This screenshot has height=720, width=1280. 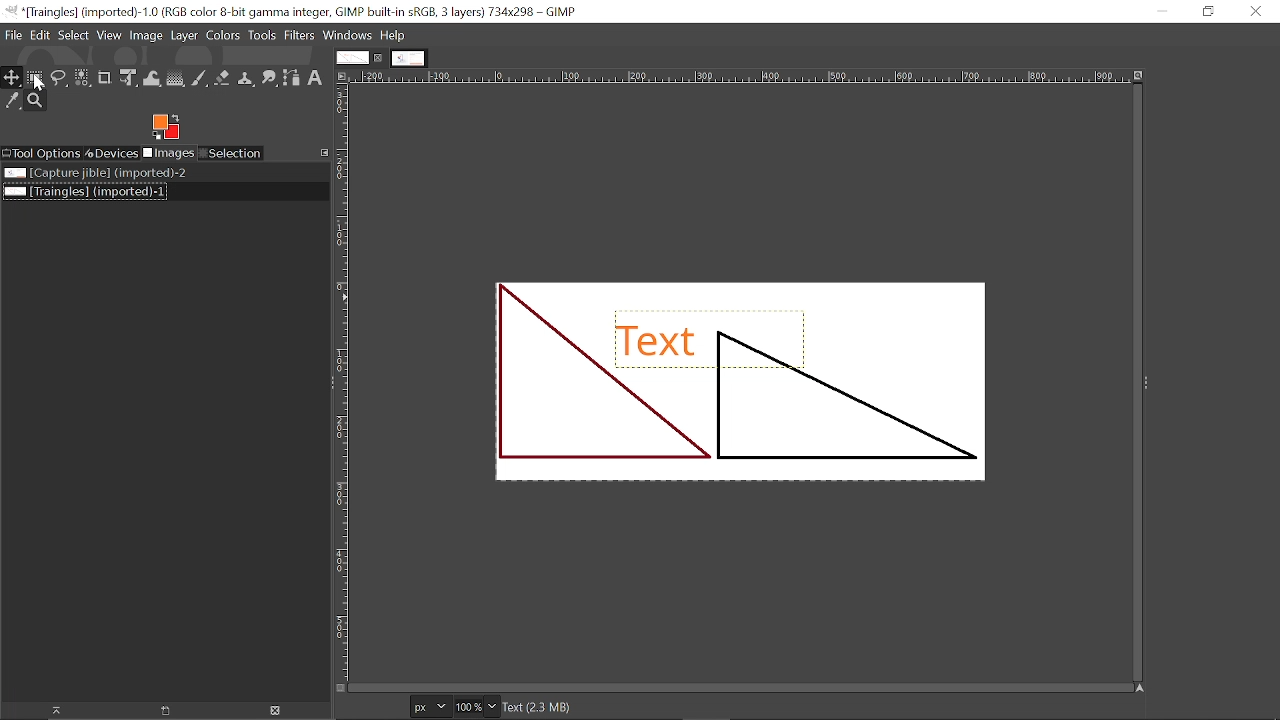 I want to click on Gradient tool, so click(x=176, y=79).